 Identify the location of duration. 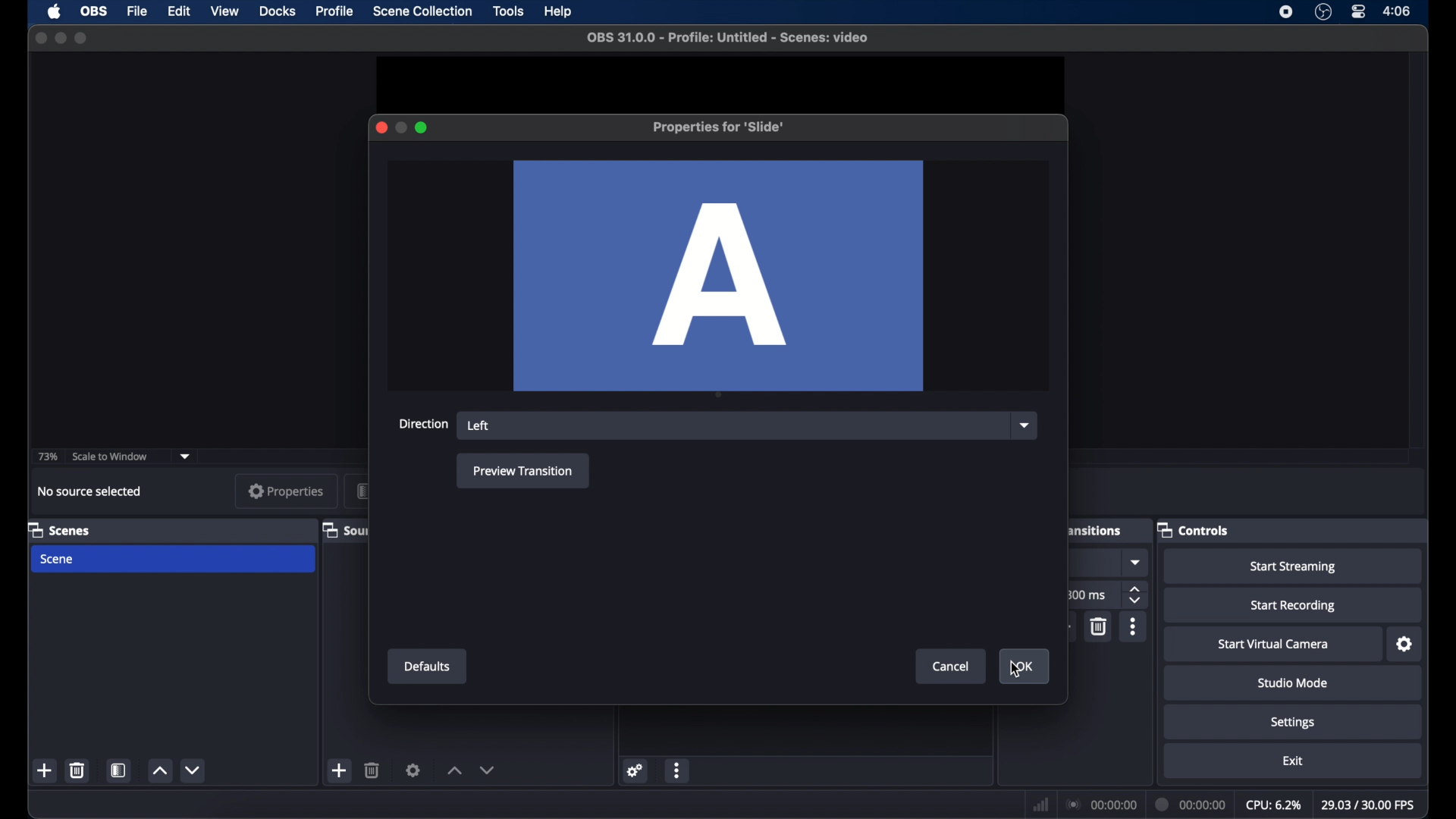
(1191, 804).